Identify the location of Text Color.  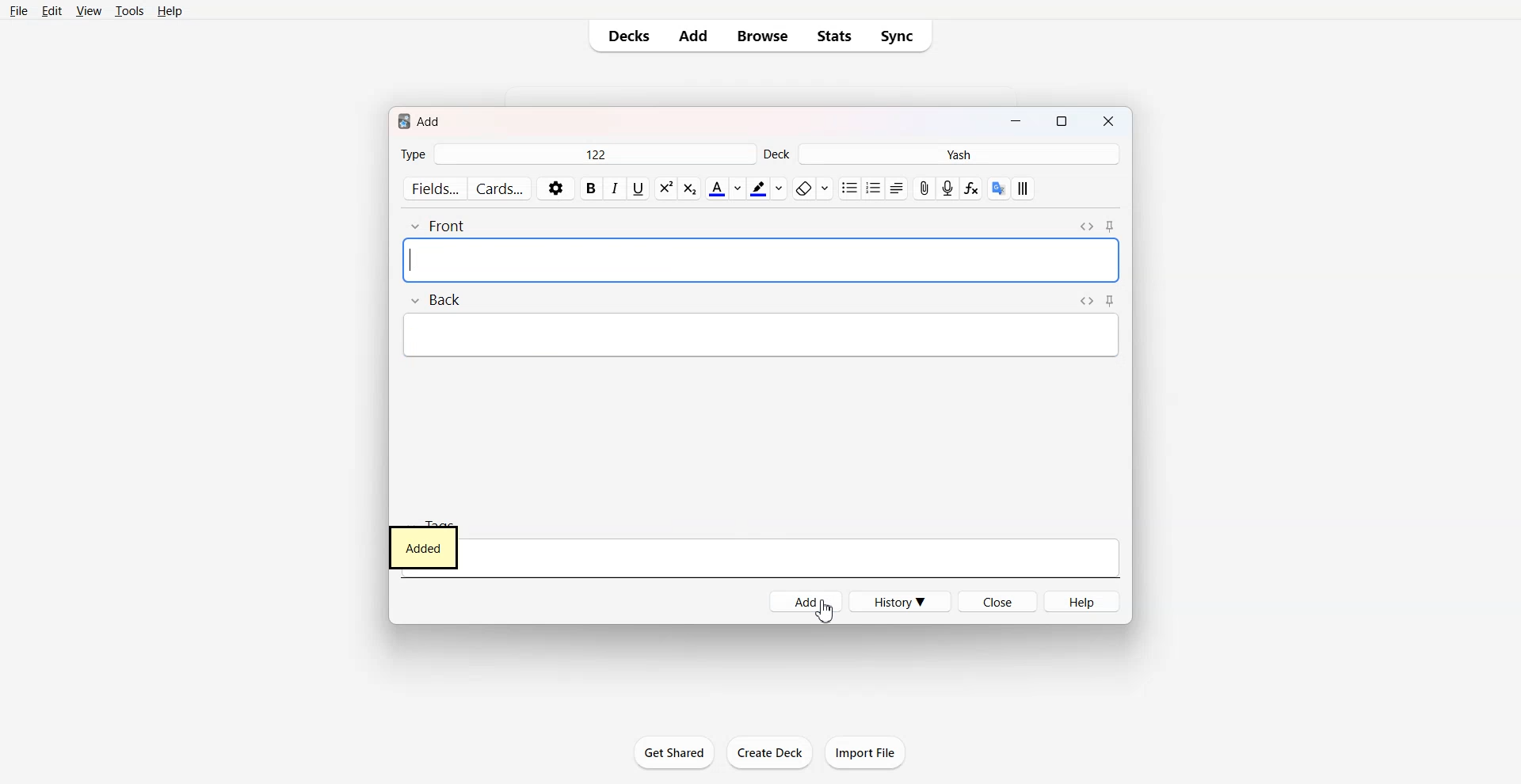
(725, 188).